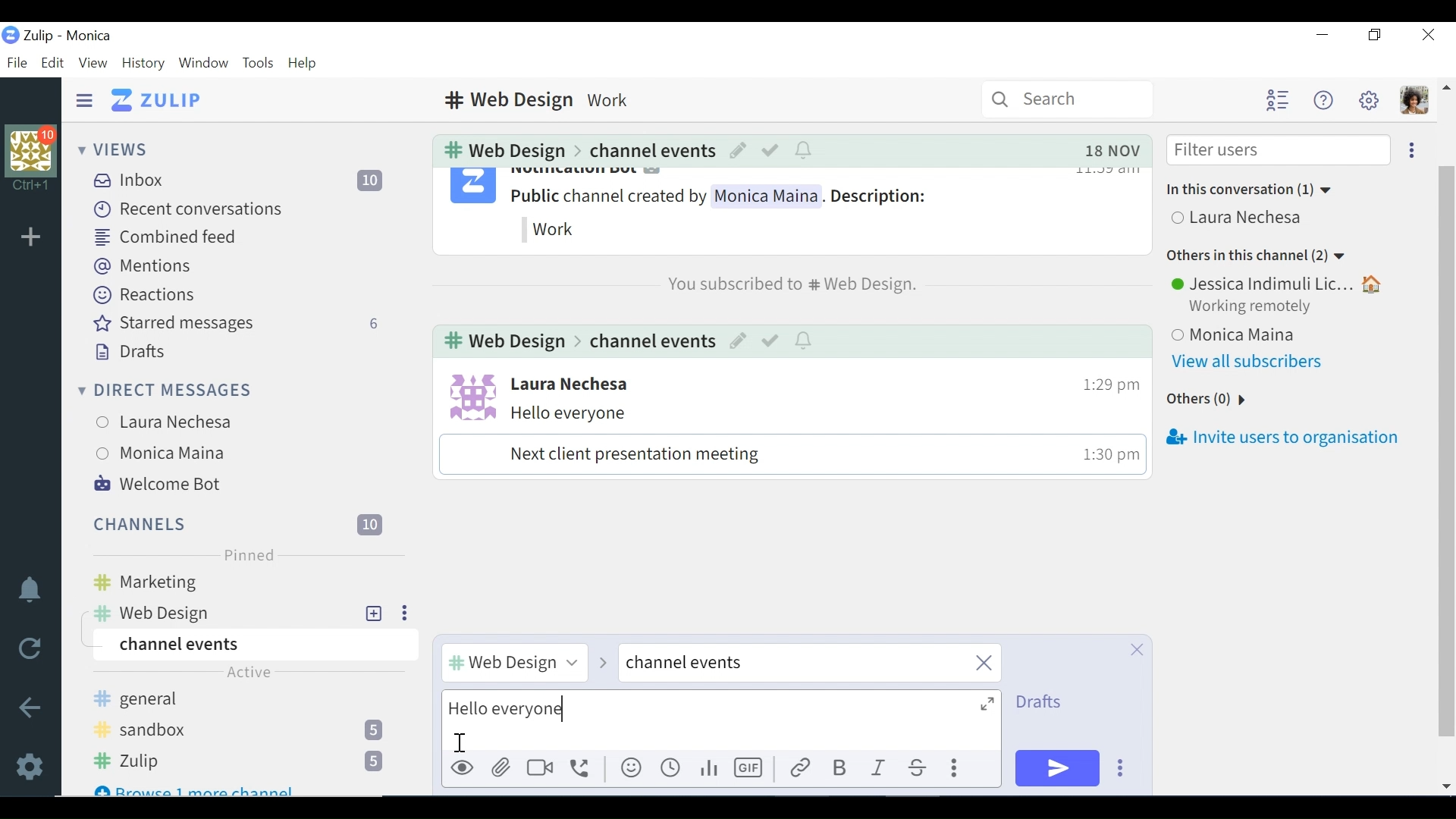 The image size is (1456, 819). Describe the element at coordinates (630, 769) in the screenshot. I see `Add emoji` at that location.